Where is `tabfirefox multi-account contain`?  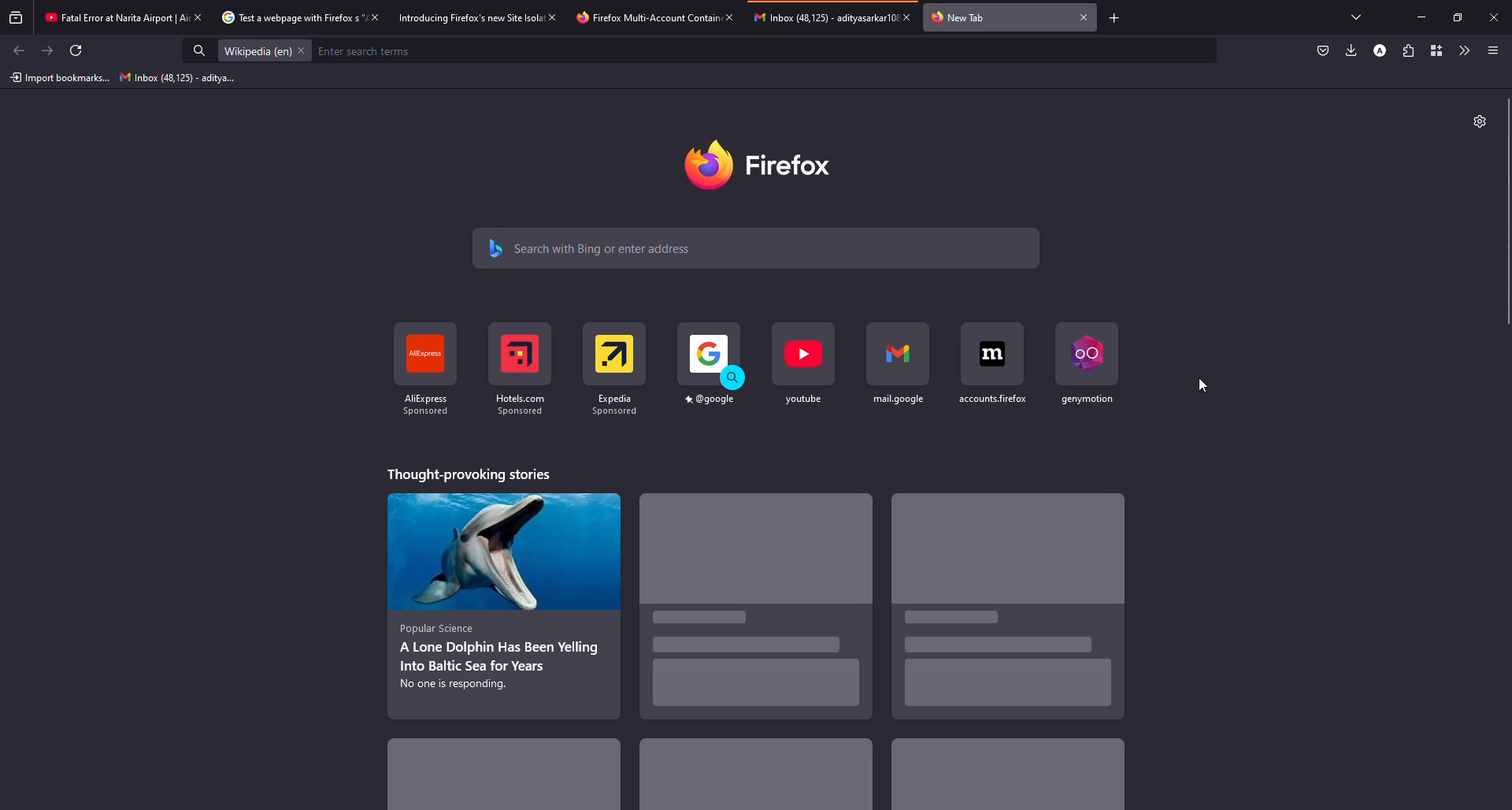
tabfirefox multi-account contain is located at coordinates (642, 18).